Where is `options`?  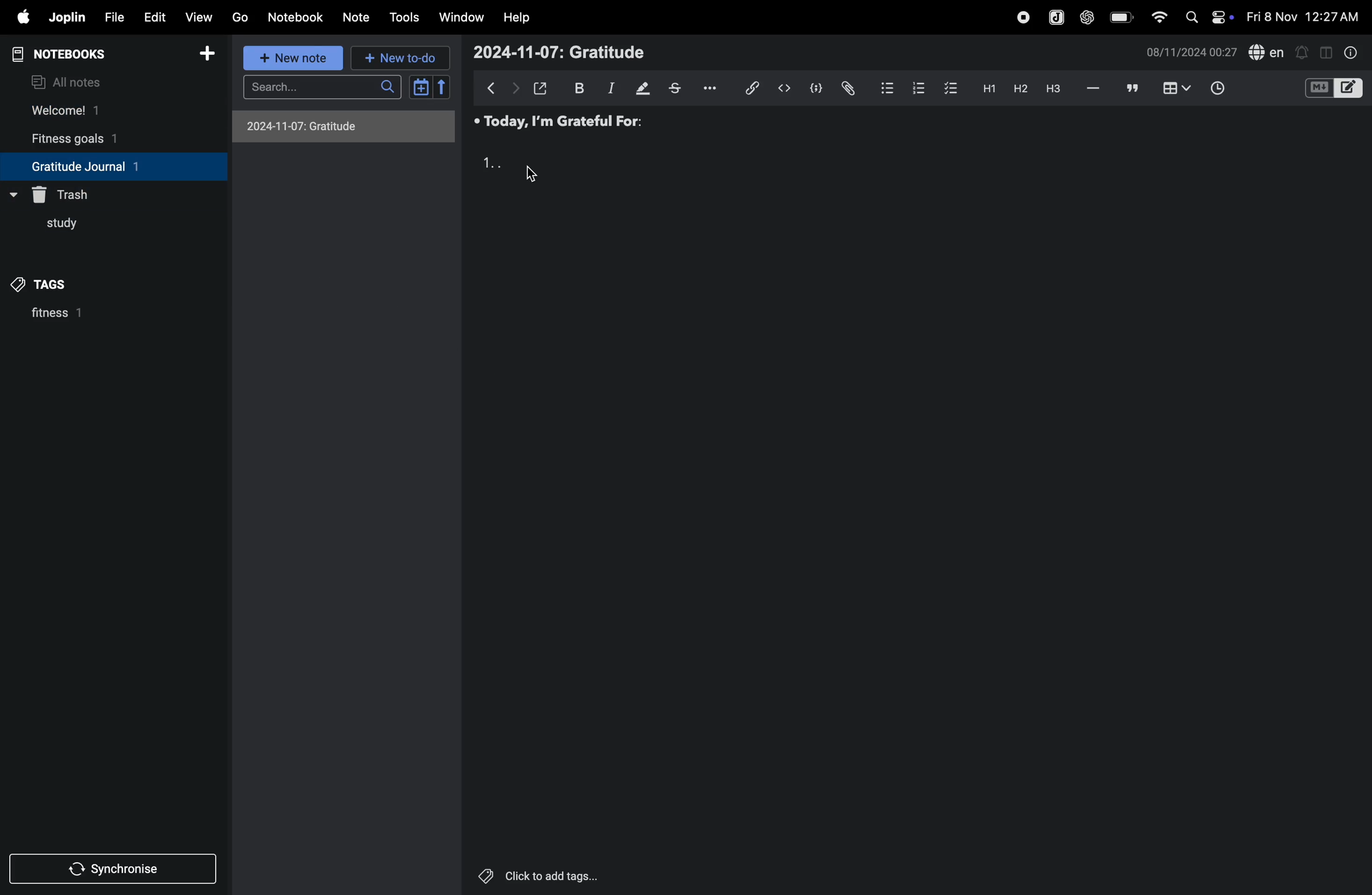
options is located at coordinates (715, 87).